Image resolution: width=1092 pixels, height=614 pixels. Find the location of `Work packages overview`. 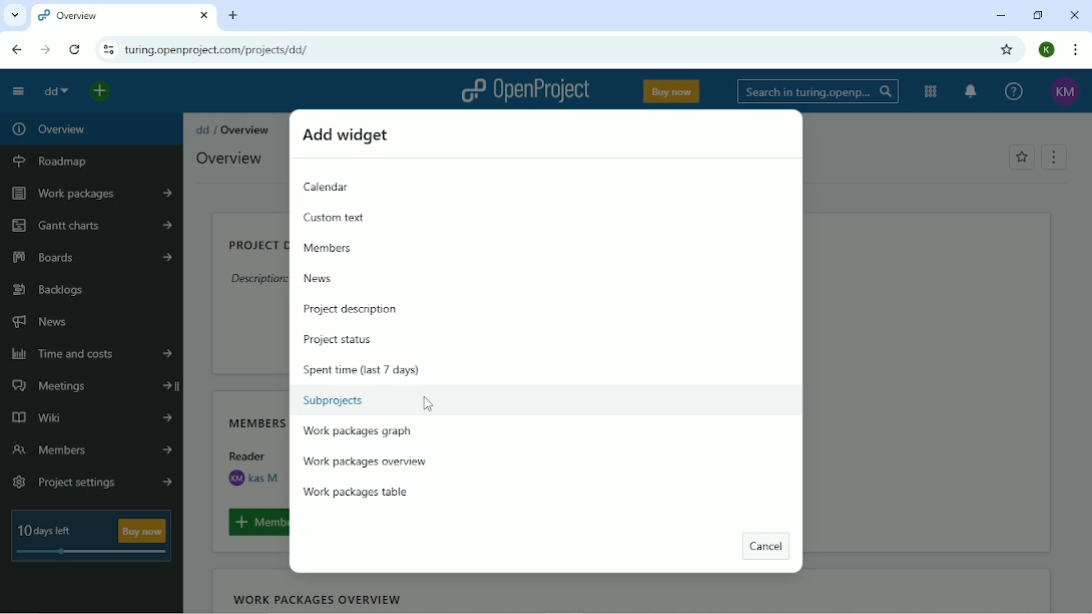

Work packages overview is located at coordinates (317, 599).